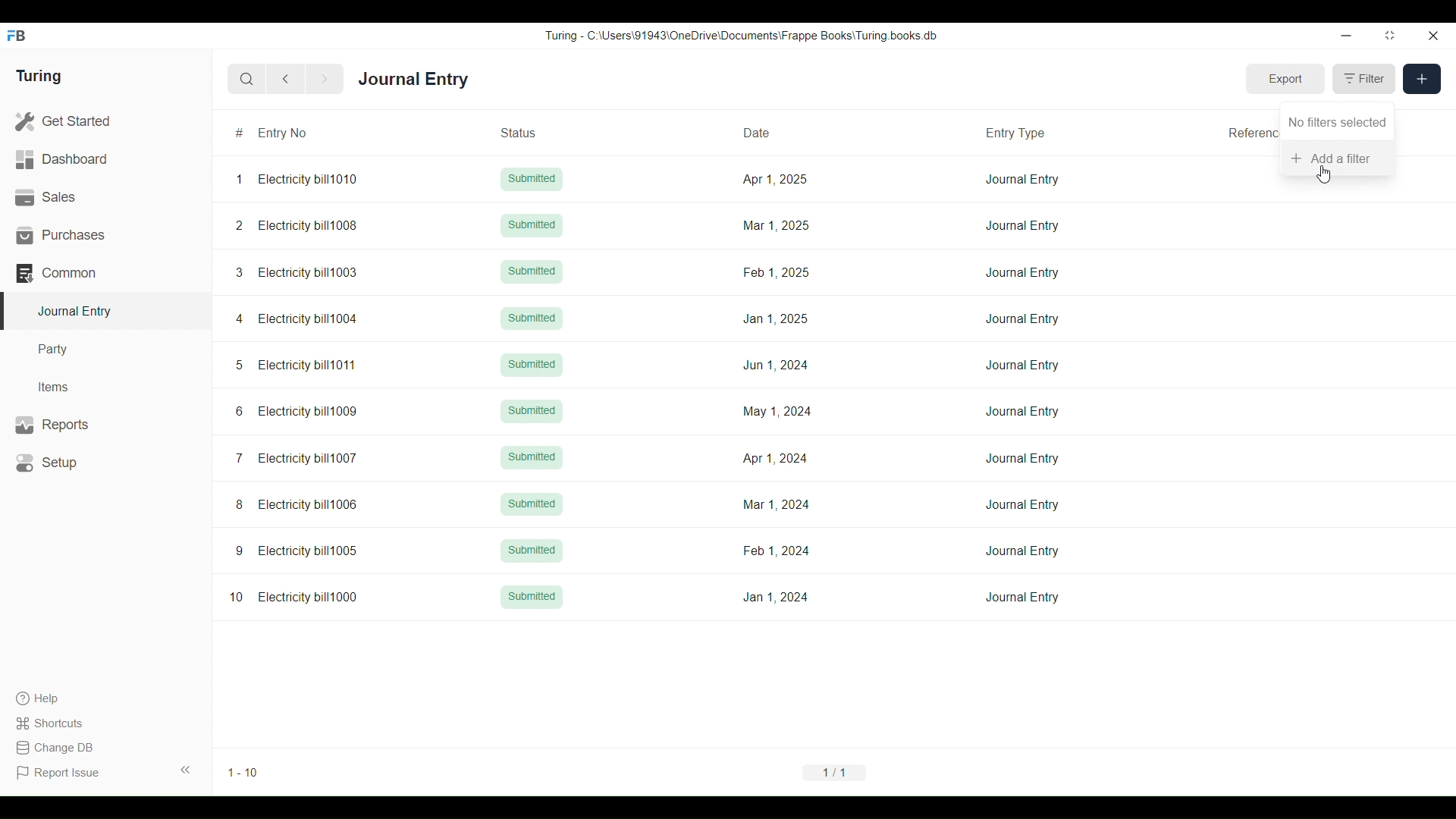 The width and height of the screenshot is (1456, 819). I want to click on Help, so click(57, 698).